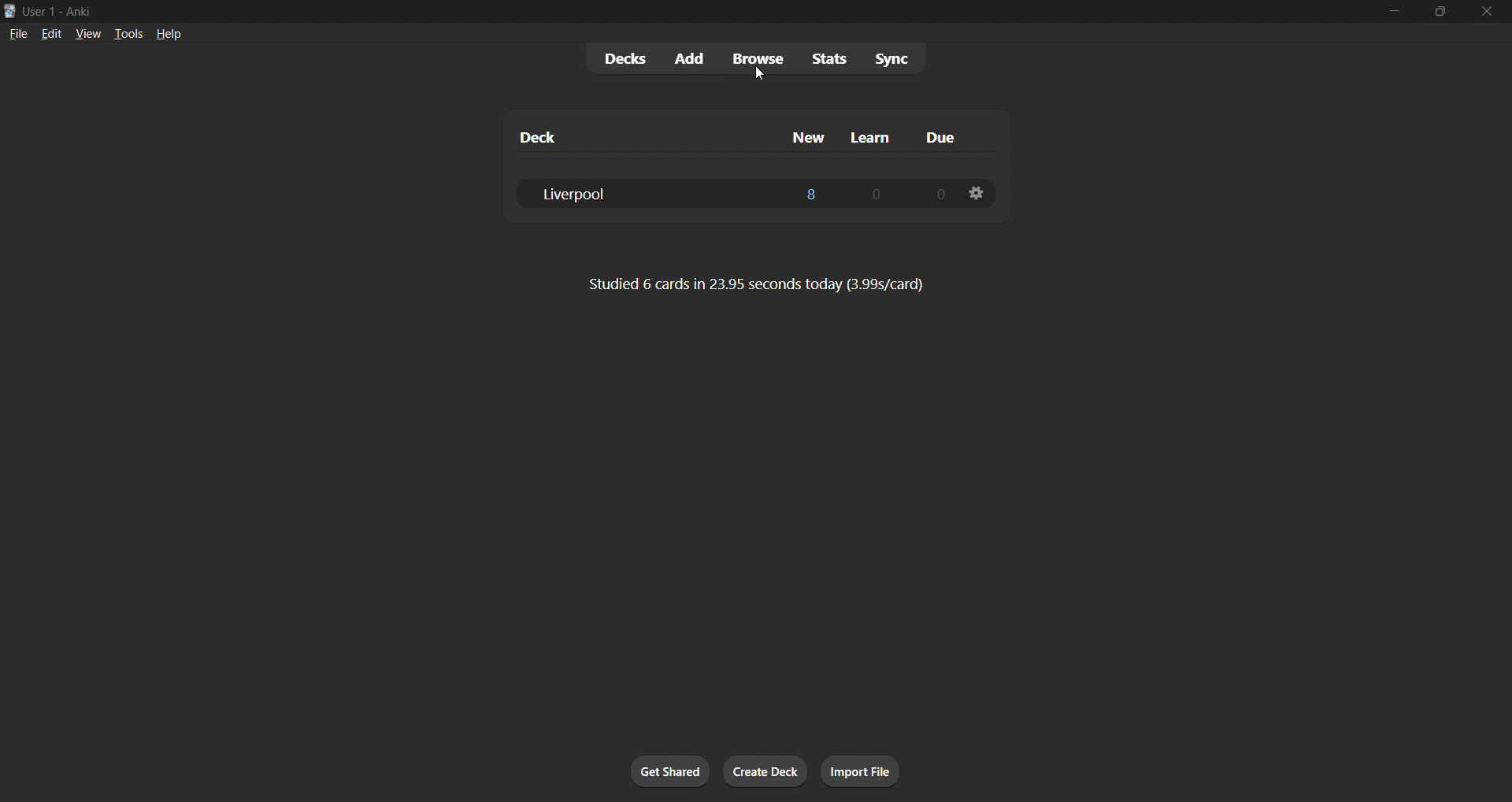 The image size is (1512, 802). I want to click on cursor, so click(756, 75).